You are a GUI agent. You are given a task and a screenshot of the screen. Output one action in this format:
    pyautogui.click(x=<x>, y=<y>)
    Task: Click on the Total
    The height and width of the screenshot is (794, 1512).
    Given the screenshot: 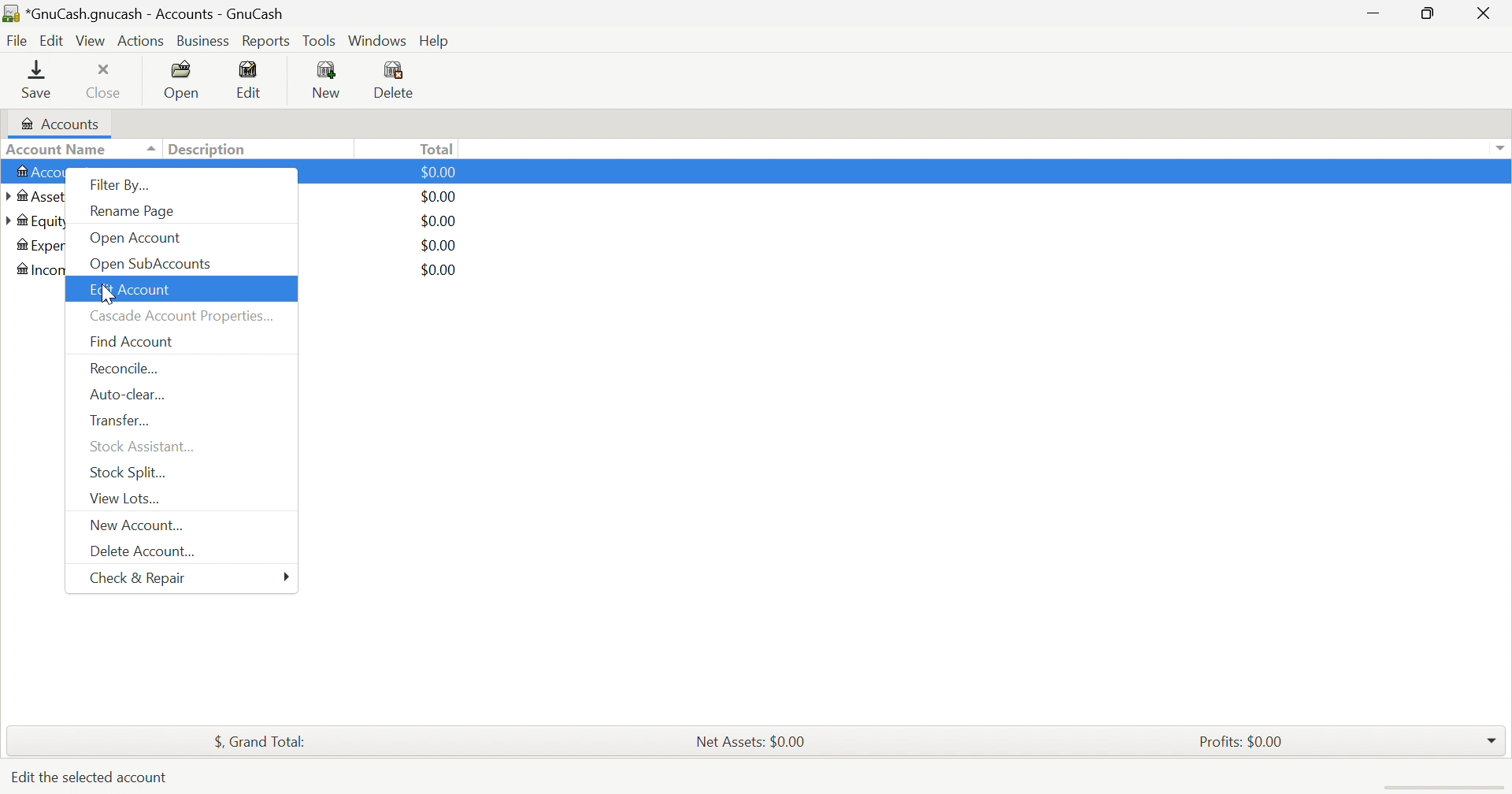 What is the action you would take?
    pyautogui.click(x=434, y=148)
    